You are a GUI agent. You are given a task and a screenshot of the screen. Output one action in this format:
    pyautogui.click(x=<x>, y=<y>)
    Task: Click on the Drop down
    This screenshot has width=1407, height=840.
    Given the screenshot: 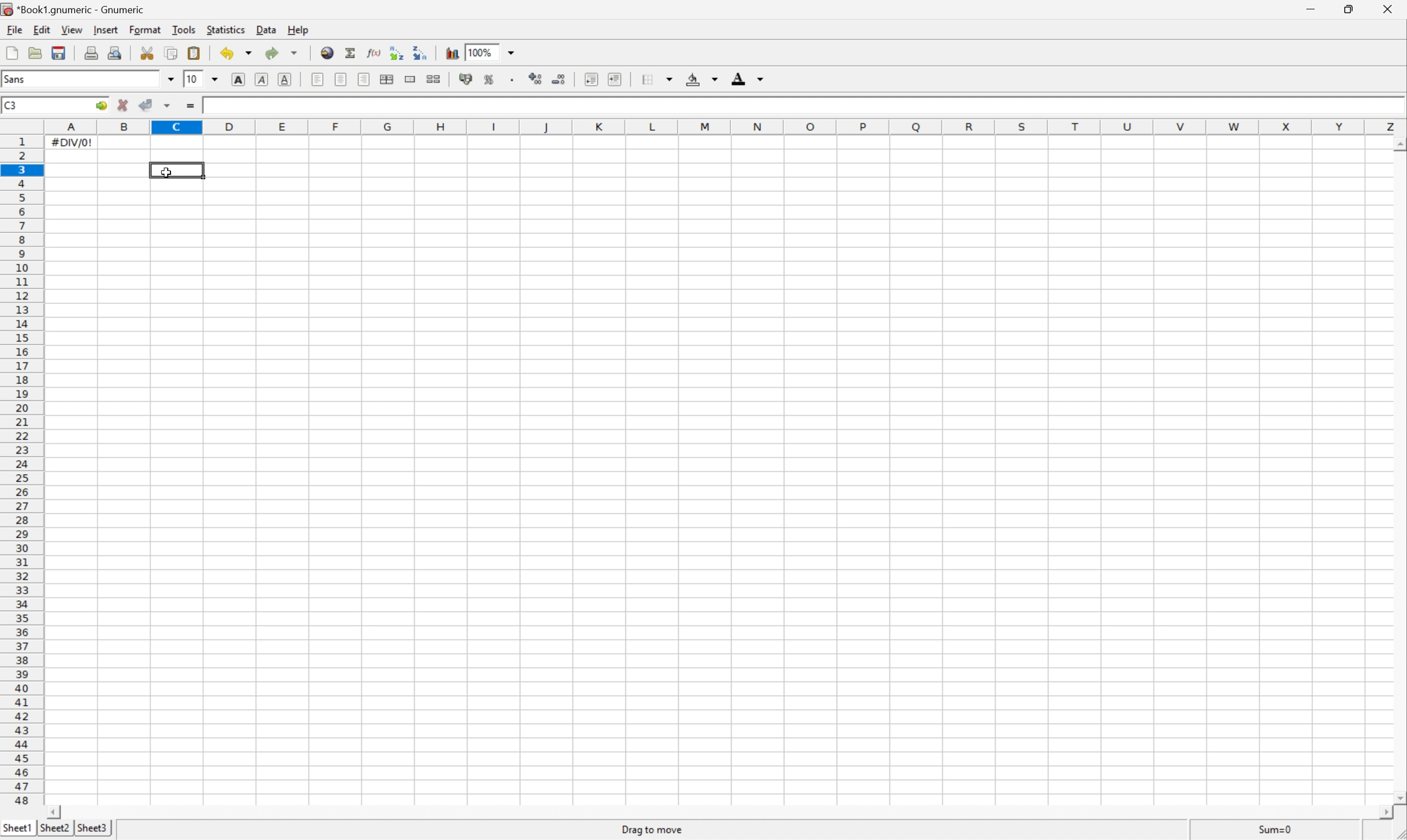 What is the action you would take?
    pyautogui.click(x=169, y=79)
    